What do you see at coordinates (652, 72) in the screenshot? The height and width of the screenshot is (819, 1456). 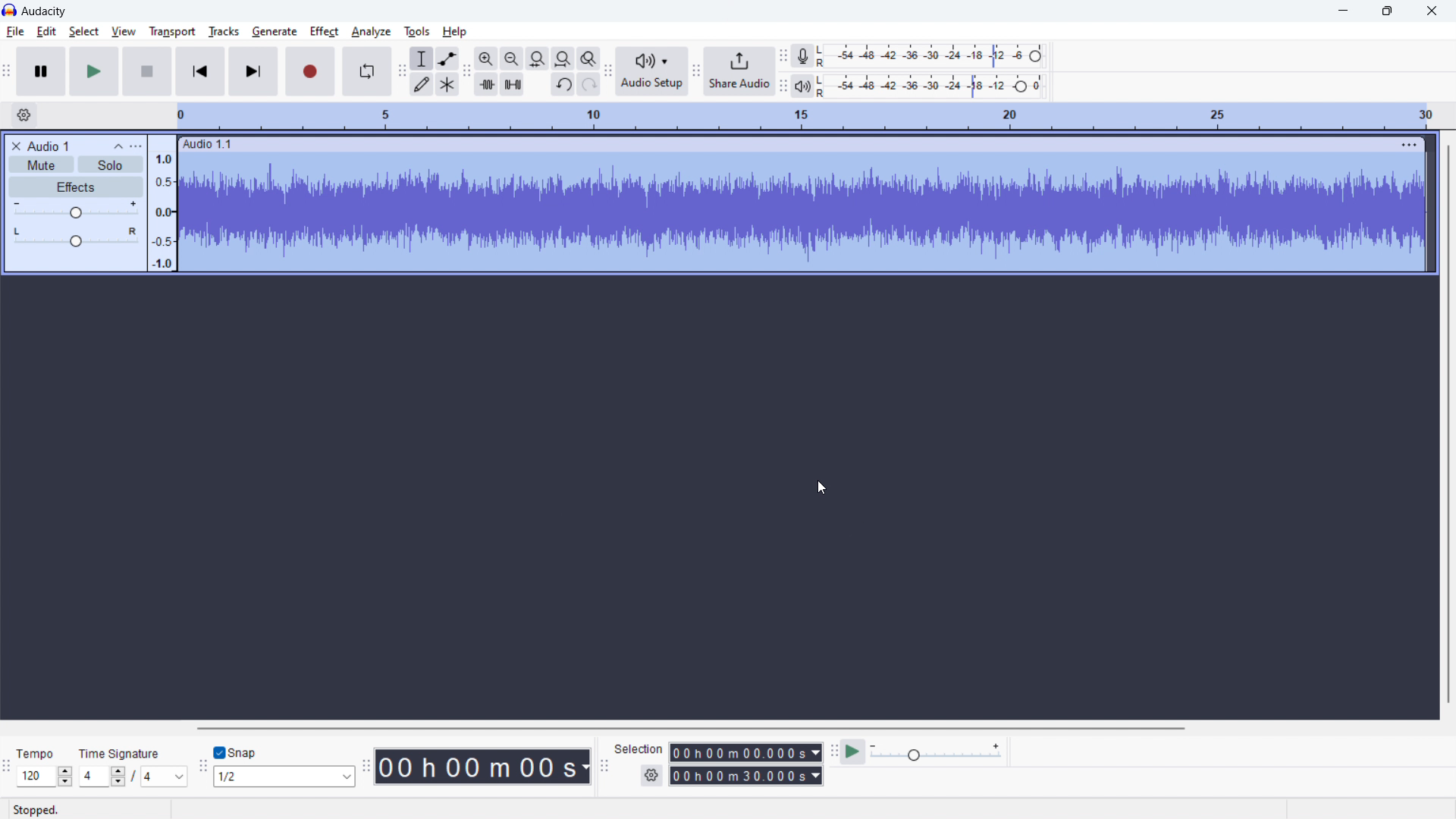 I see `audio setup` at bounding box center [652, 72].